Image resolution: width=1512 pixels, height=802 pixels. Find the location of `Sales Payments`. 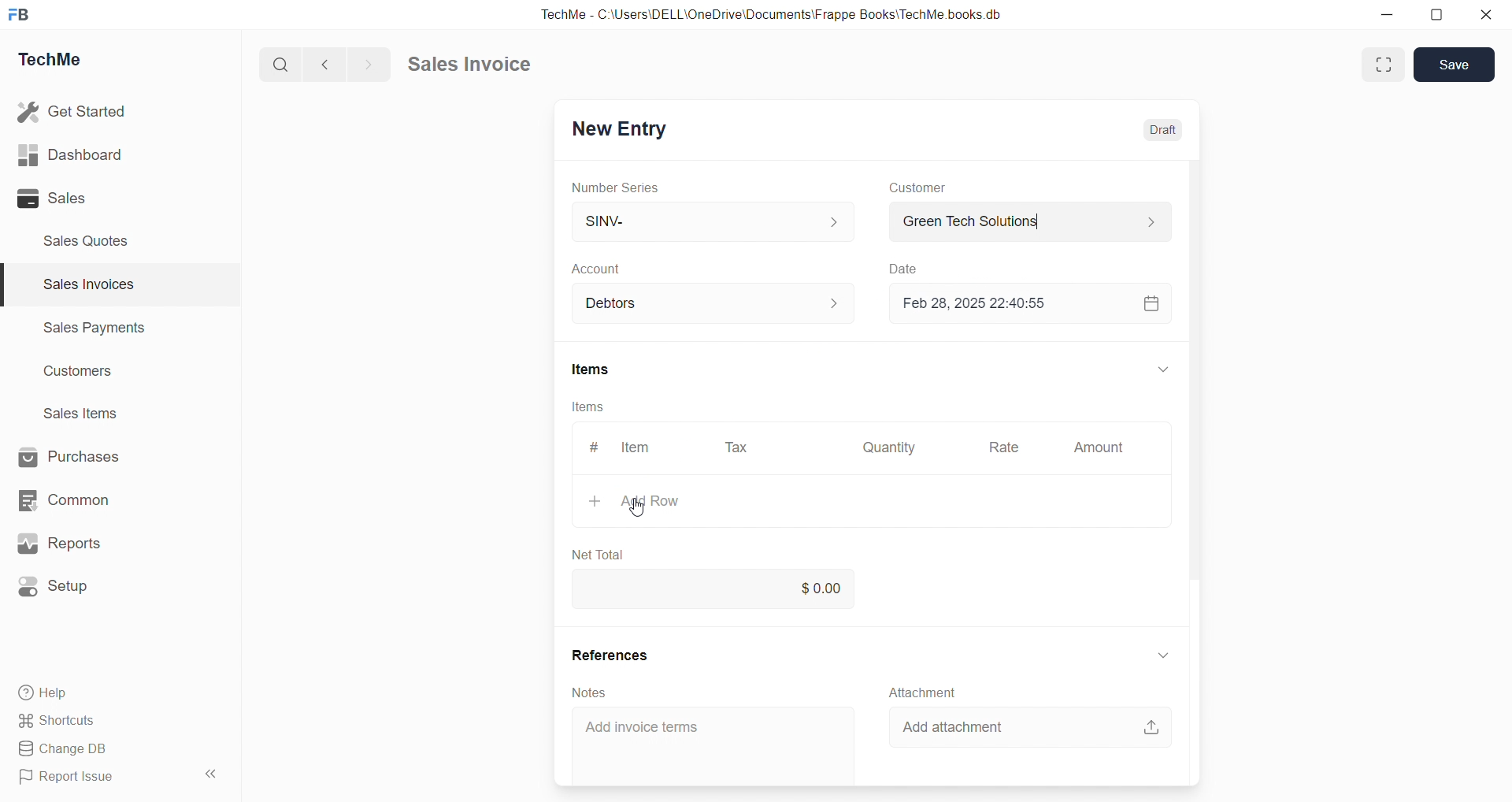

Sales Payments is located at coordinates (96, 326).